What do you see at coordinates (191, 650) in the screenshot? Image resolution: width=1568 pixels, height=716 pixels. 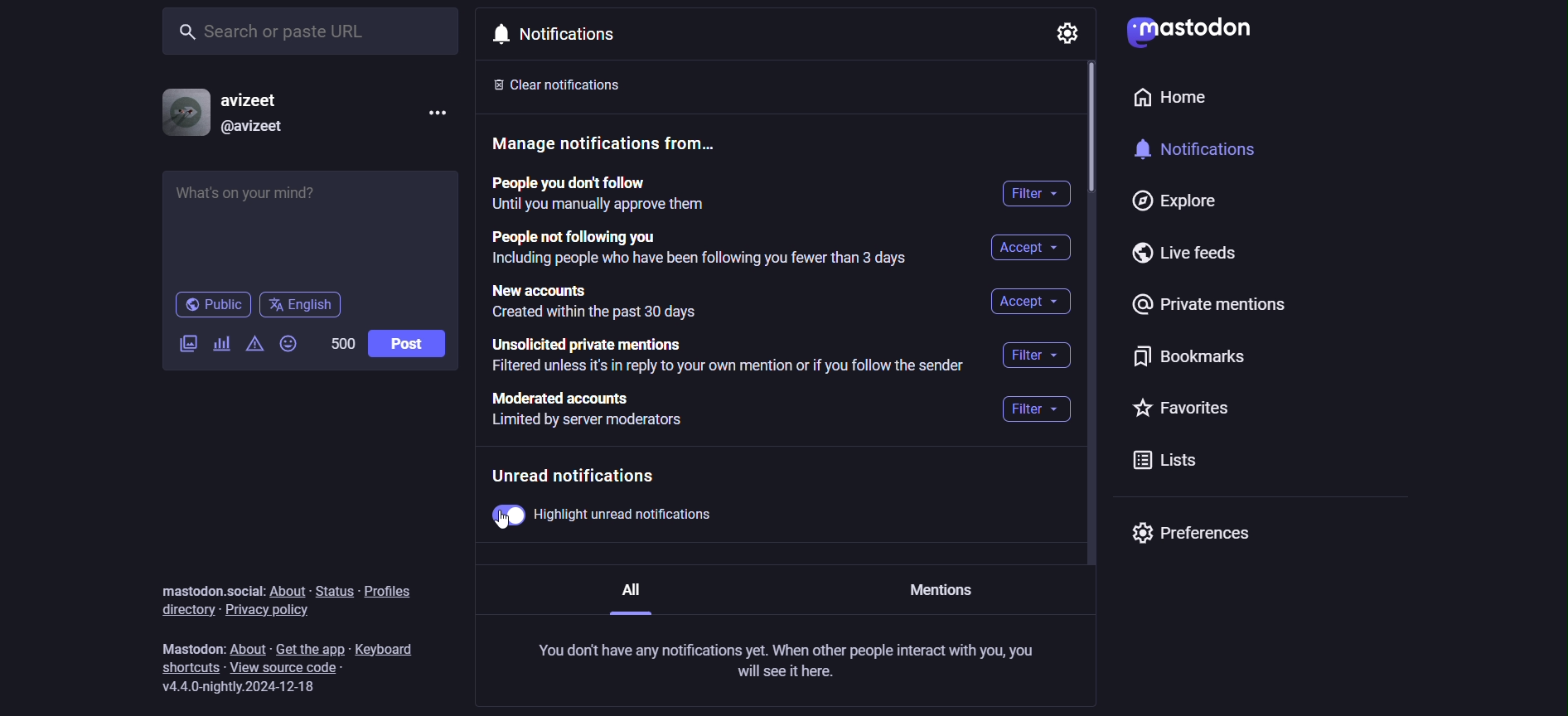 I see `text` at bounding box center [191, 650].